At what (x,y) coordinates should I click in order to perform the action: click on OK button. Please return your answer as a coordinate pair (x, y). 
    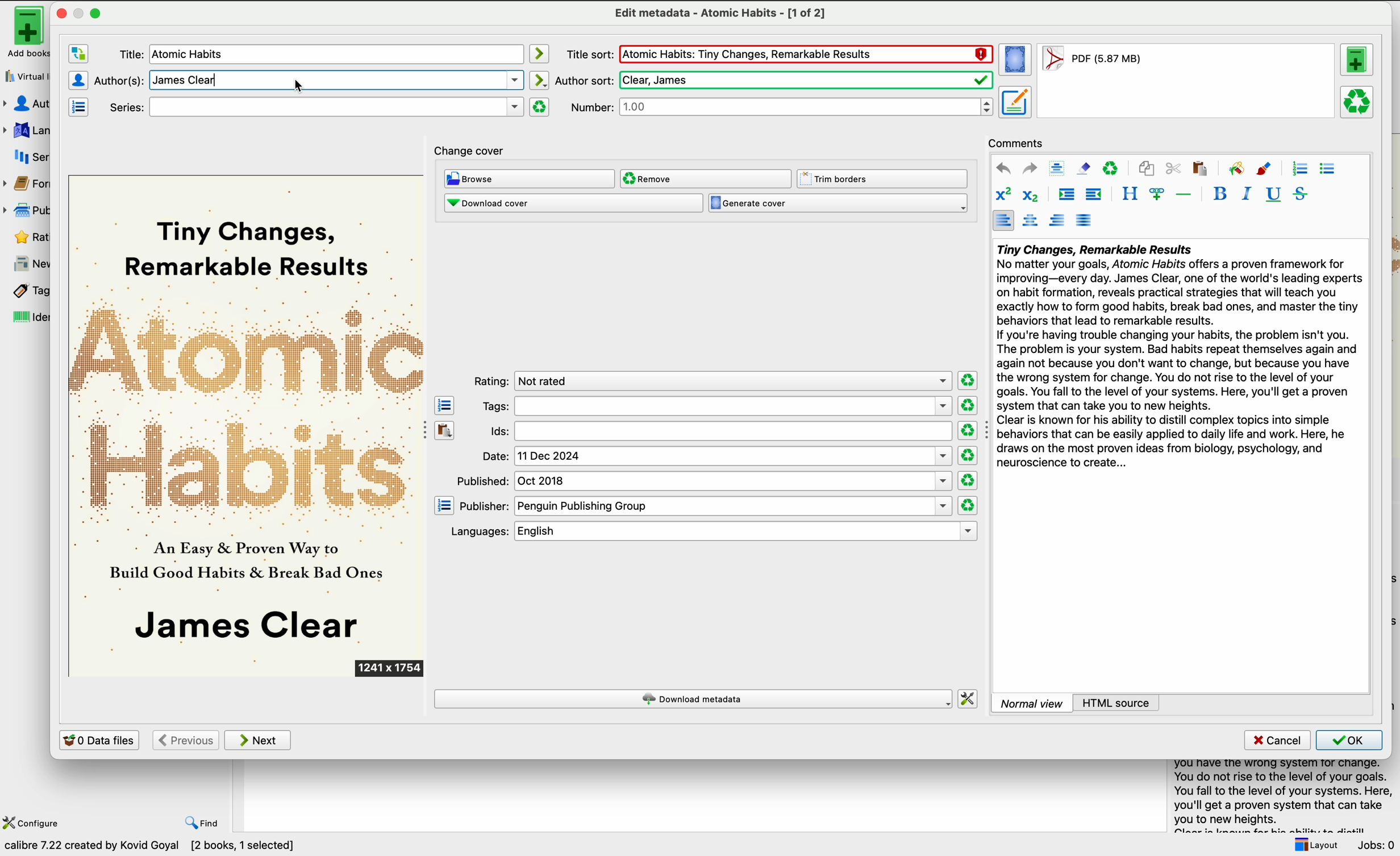
    Looking at the image, I should click on (1349, 740).